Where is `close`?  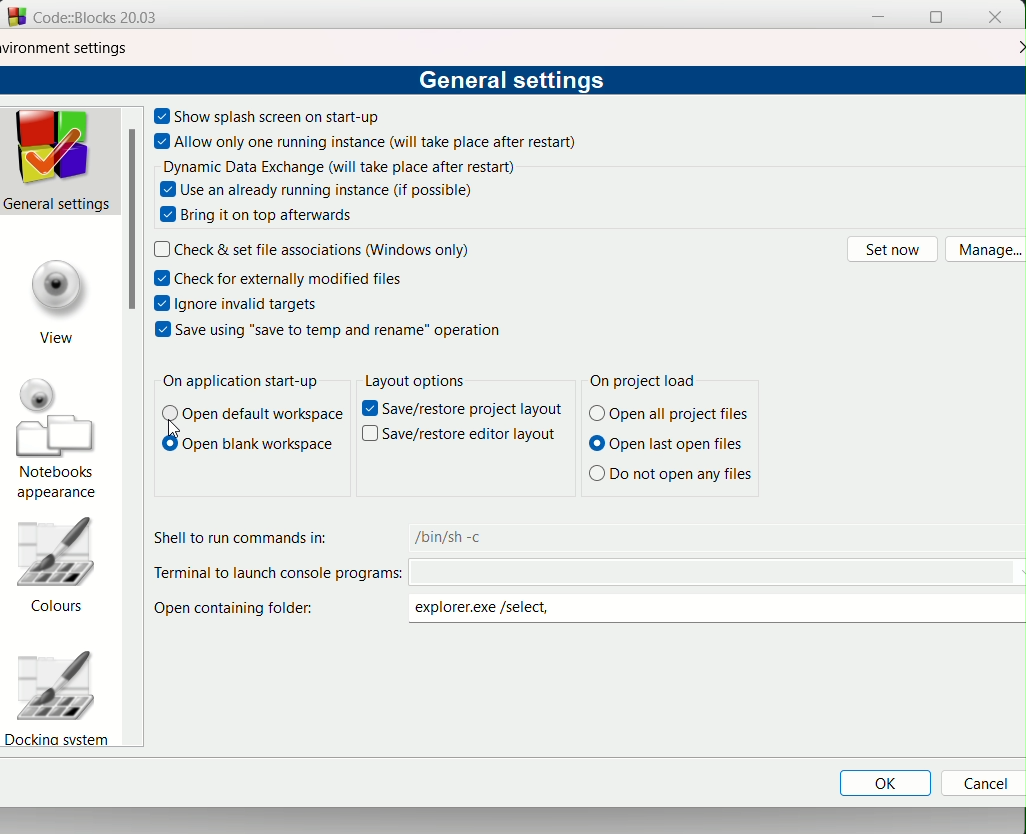 close is located at coordinates (1019, 45).